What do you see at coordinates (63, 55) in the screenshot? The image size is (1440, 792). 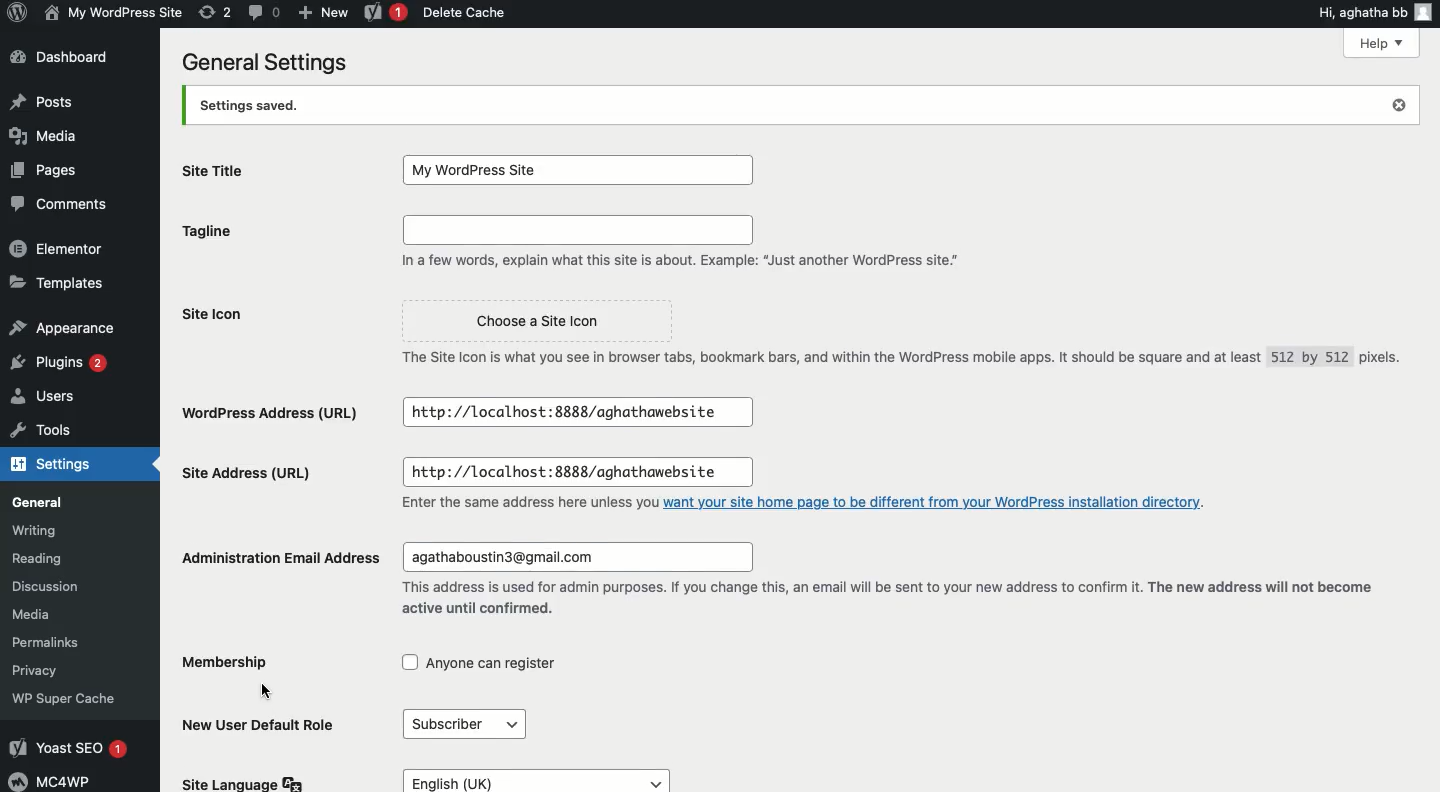 I see `Dashboard` at bounding box center [63, 55].